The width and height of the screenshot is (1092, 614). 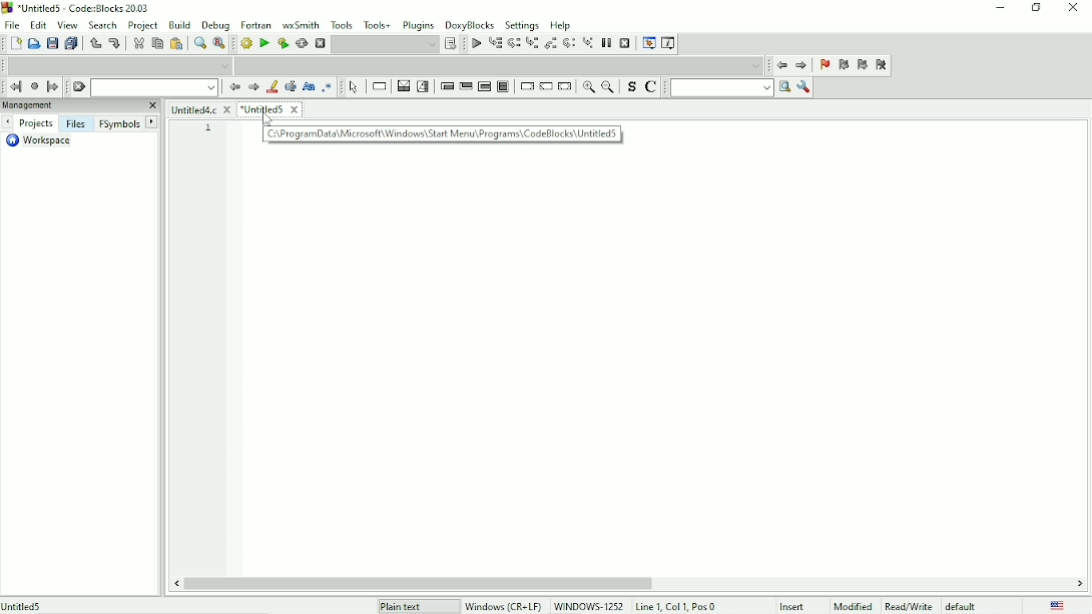 I want to click on Entry condition loop, so click(x=446, y=88).